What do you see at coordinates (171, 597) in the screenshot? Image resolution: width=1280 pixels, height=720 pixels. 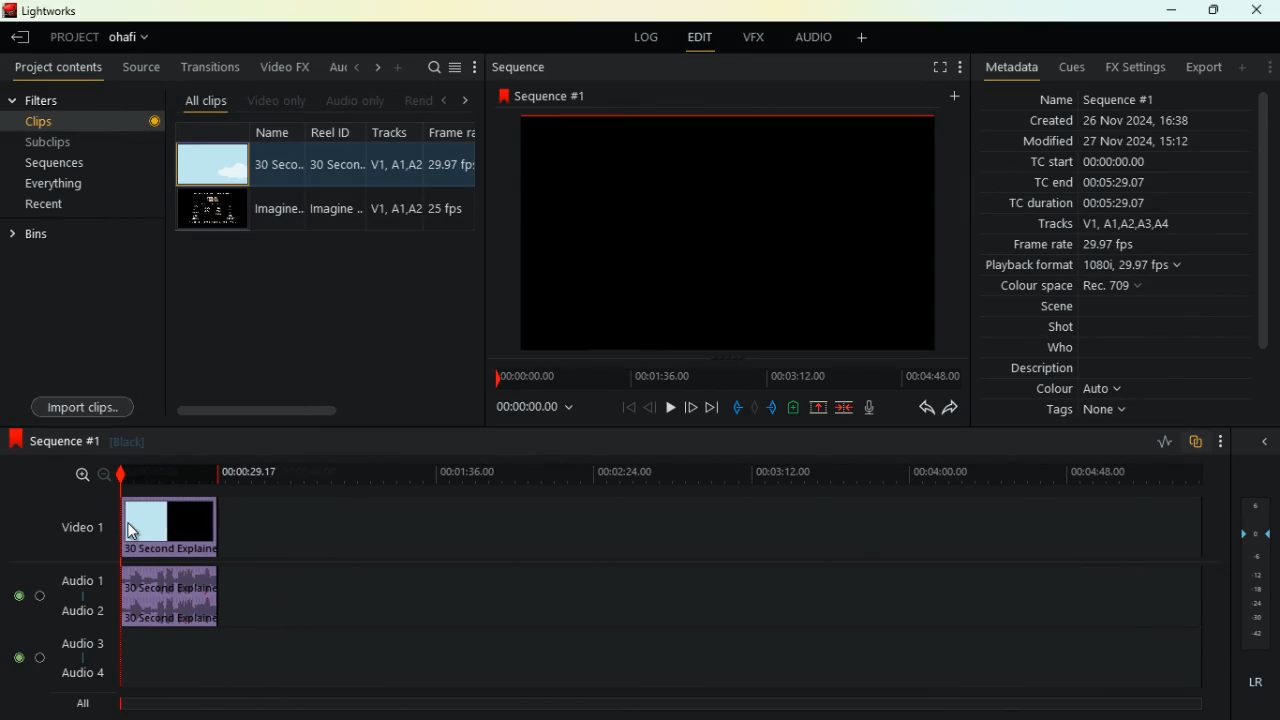 I see `audio clip added to timeline` at bounding box center [171, 597].